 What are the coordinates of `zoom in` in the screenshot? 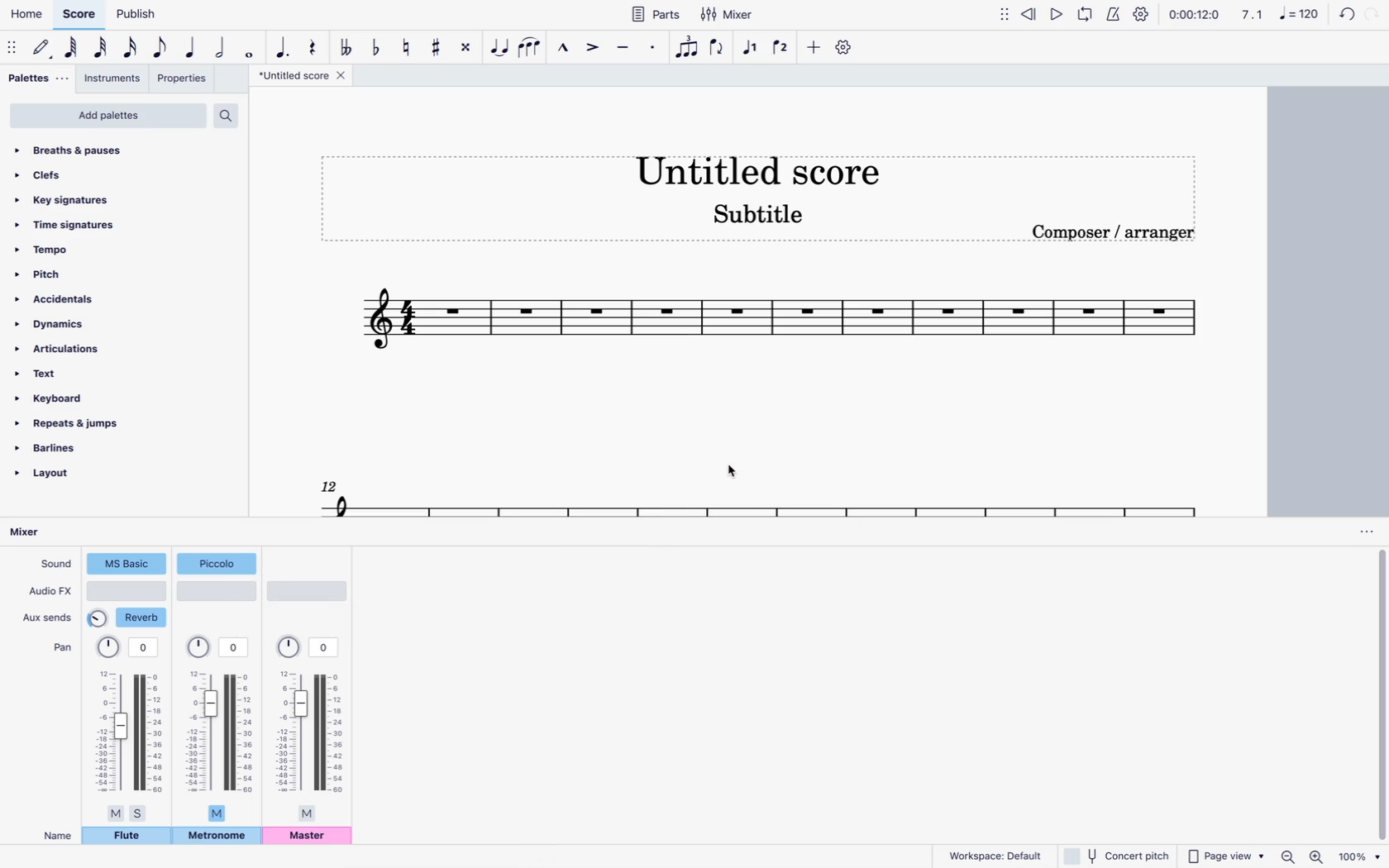 It's located at (1316, 856).